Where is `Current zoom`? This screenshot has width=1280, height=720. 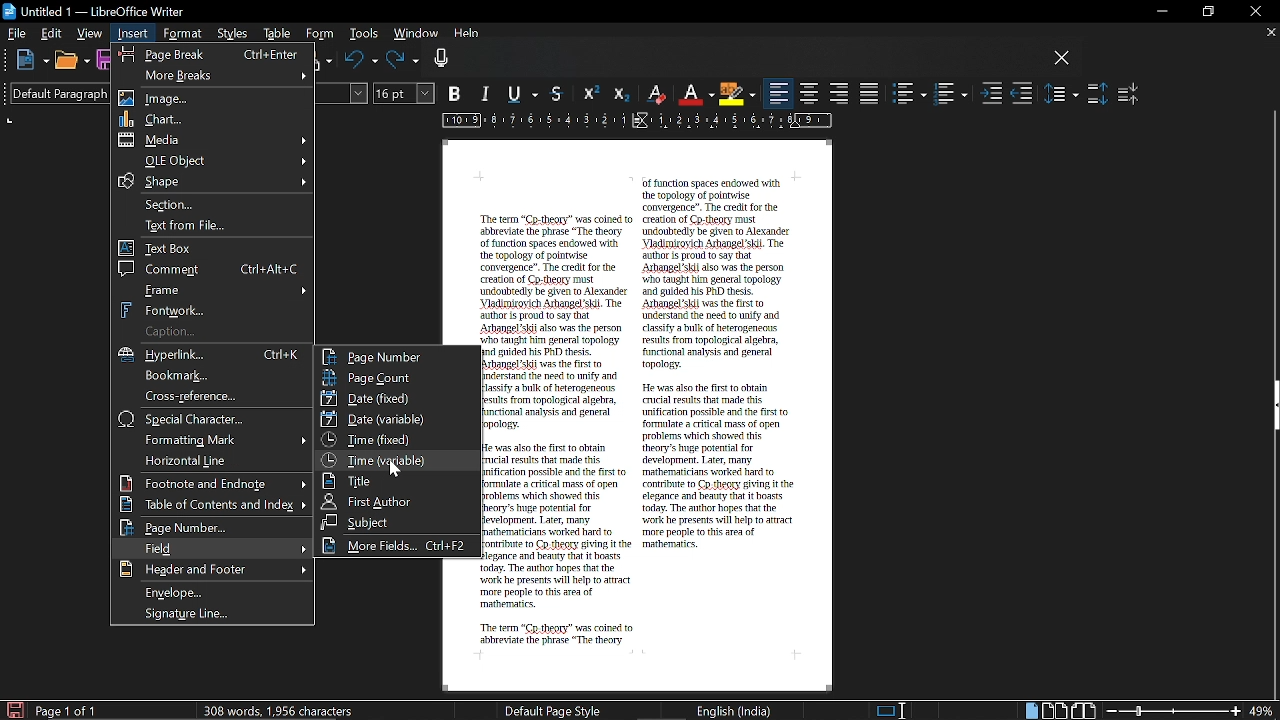 Current zoom is located at coordinates (1263, 711).